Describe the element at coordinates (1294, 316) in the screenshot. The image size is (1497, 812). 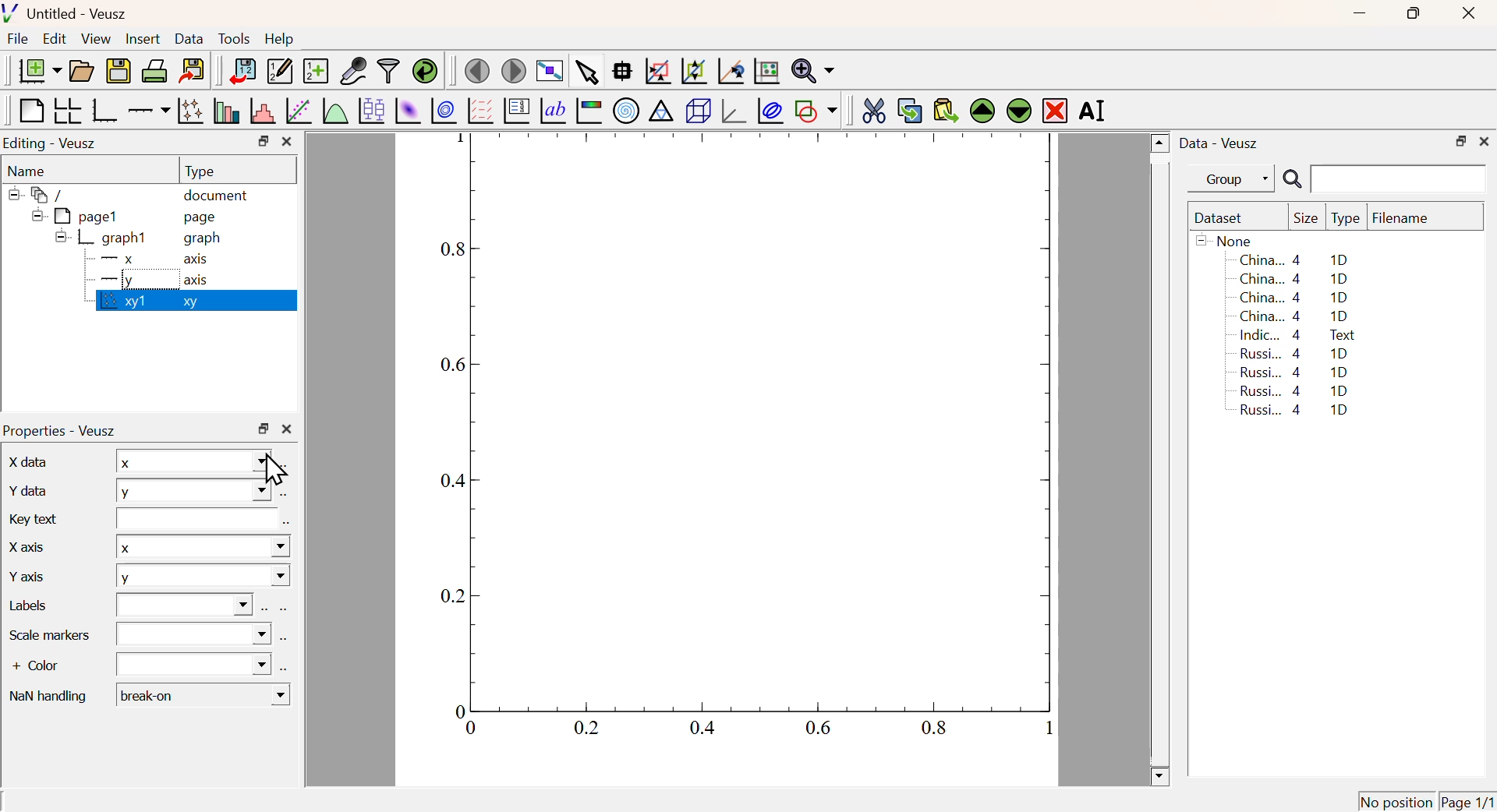
I see `China... 4 1D` at that location.